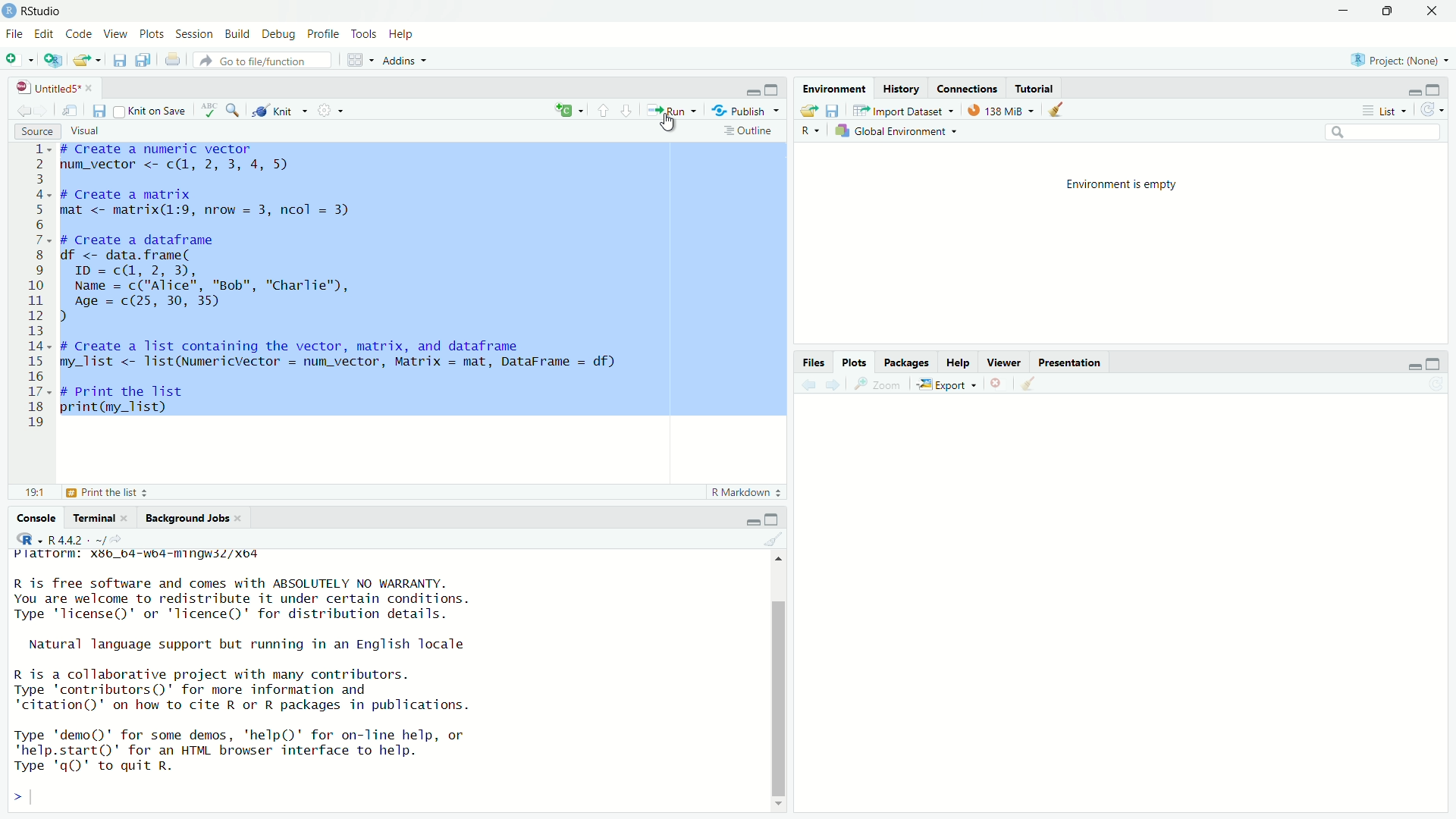 The image size is (1456, 819). What do you see at coordinates (73, 113) in the screenshot?
I see `move` at bounding box center [73, 113].